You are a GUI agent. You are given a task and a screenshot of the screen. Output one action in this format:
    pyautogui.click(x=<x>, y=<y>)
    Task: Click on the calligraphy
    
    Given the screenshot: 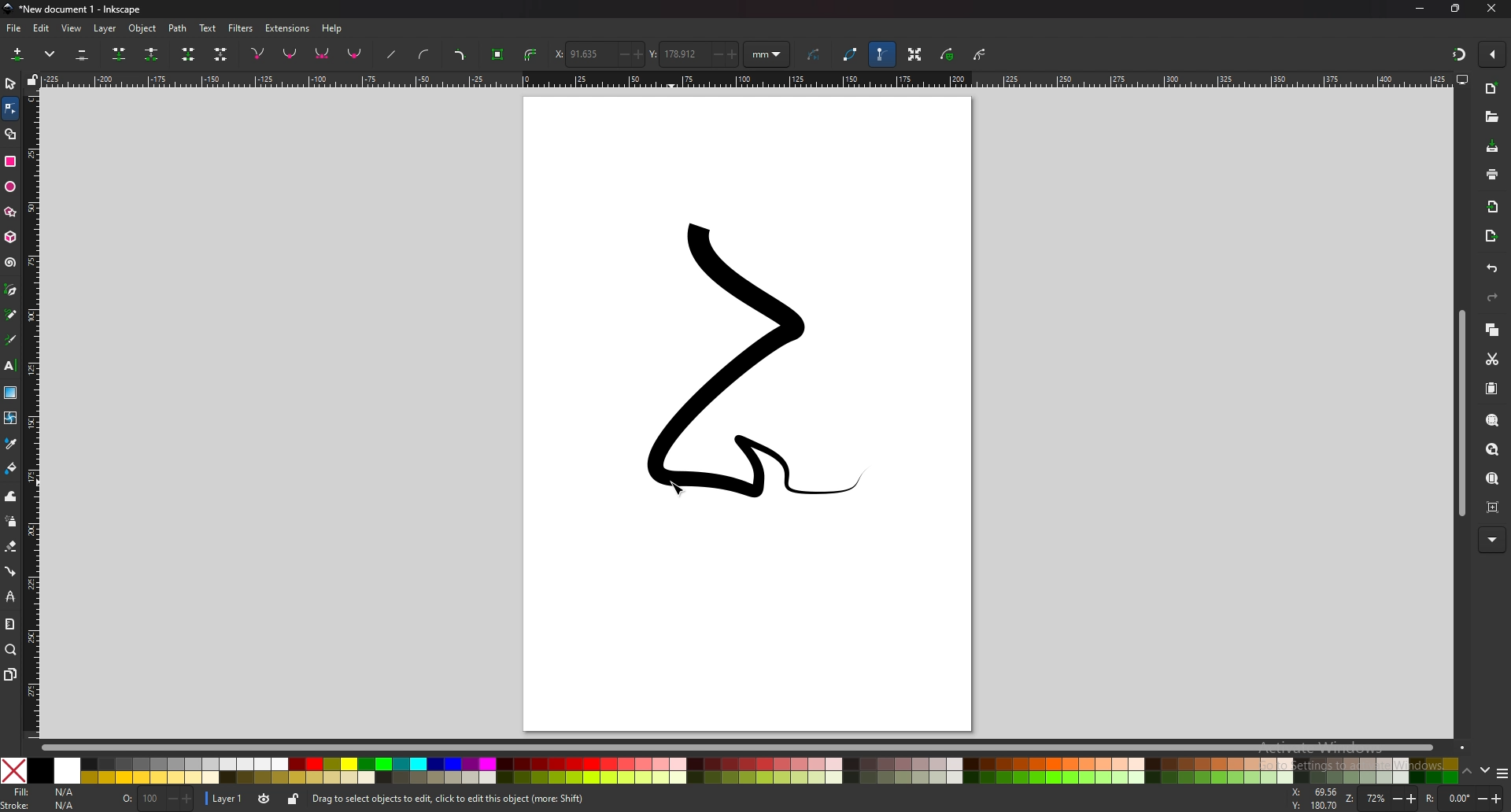 What is the action you would take?
    pyautogui.click(x=11, y=339)
    